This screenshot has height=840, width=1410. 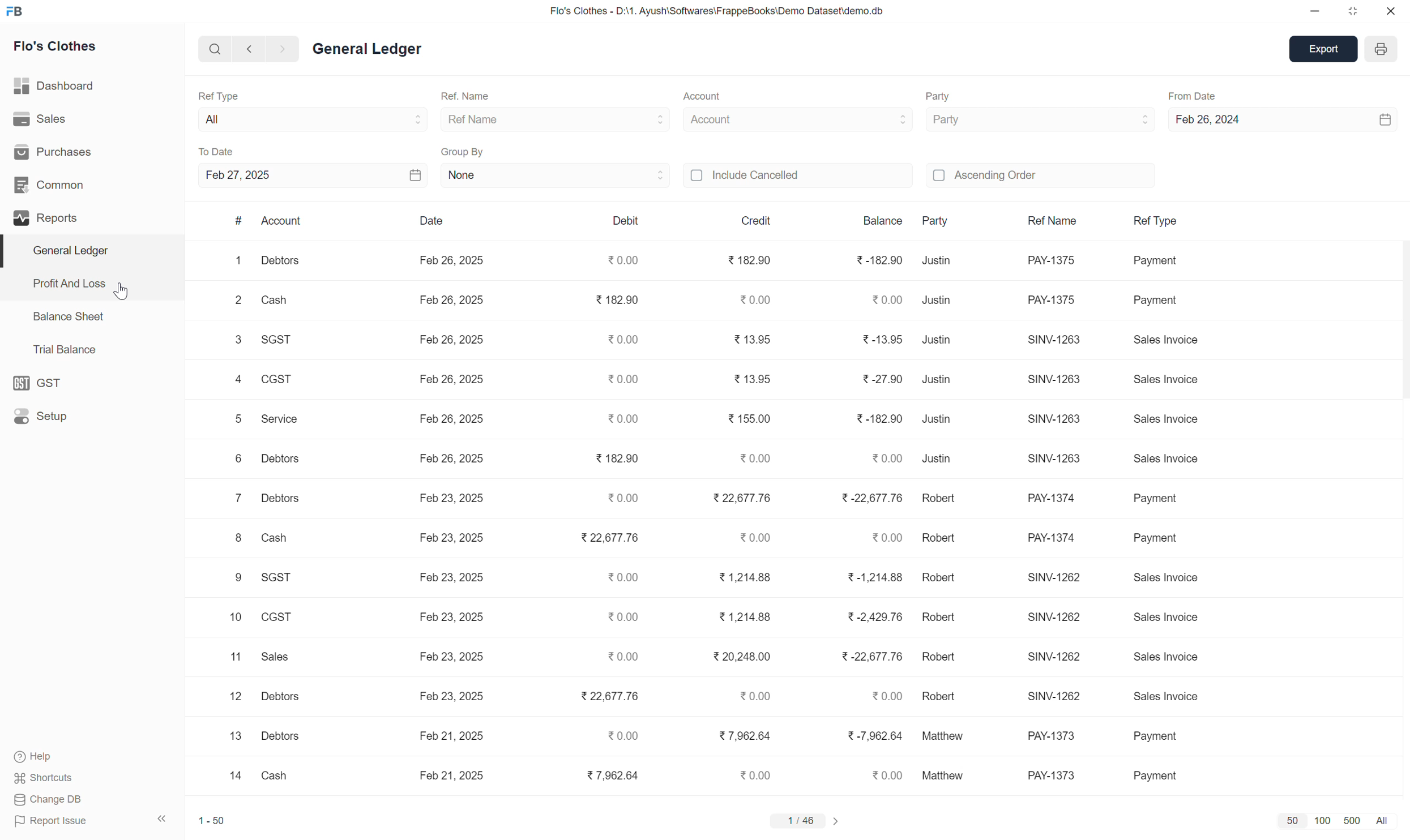 What do you see at coordinates (619, 340) in the screenshot?
I see `₹0.00` at bounding box center [619, 340].